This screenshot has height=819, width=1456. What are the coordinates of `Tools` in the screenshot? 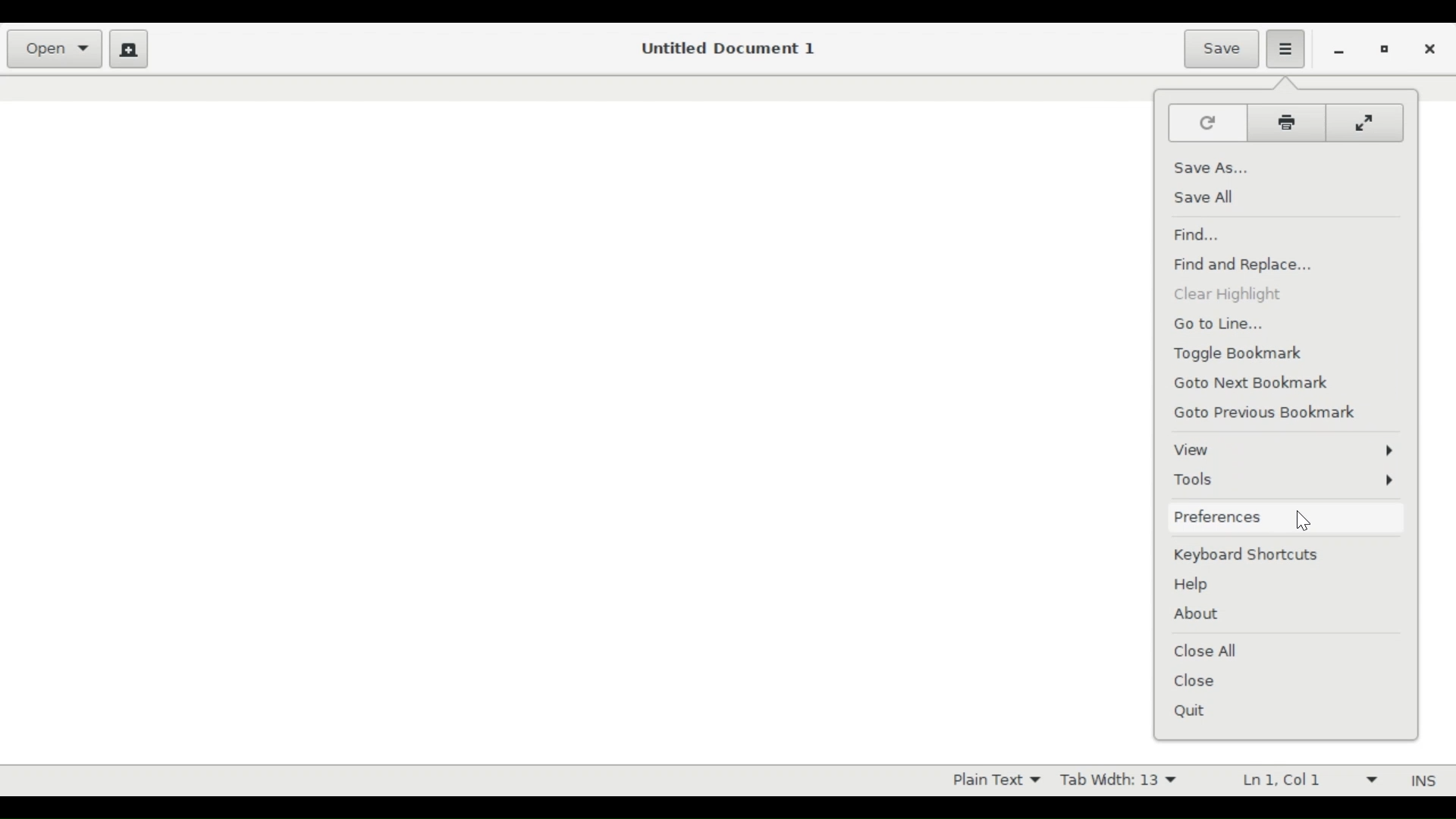 It's located at (1285, 482).